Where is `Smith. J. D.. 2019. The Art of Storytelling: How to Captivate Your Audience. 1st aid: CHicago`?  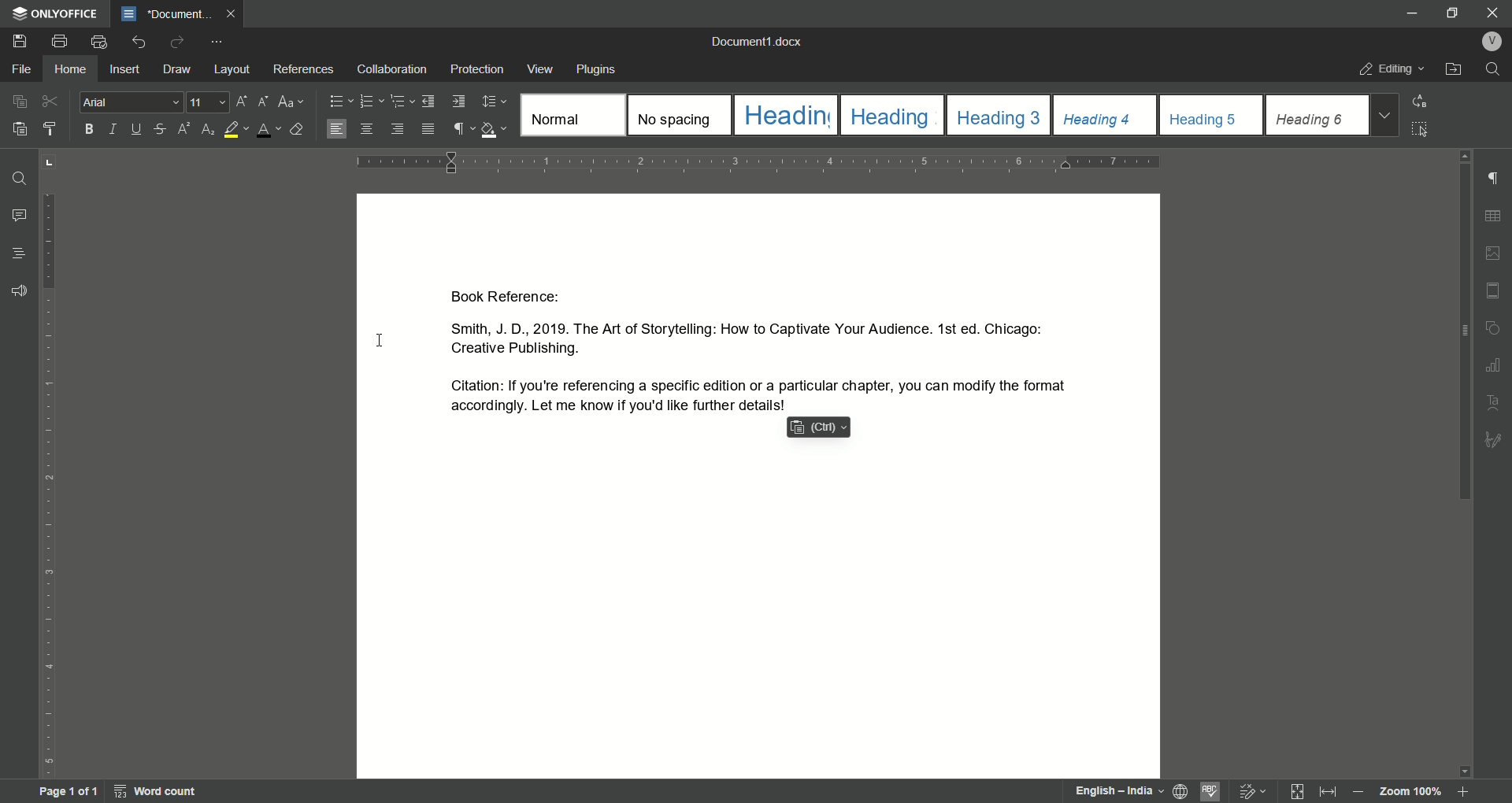 Smith. J. D.. 2019. The Art of Storytelling: How to Captivate Your Audience. 1st aid: CHicago is located at coordinates (742, 327).